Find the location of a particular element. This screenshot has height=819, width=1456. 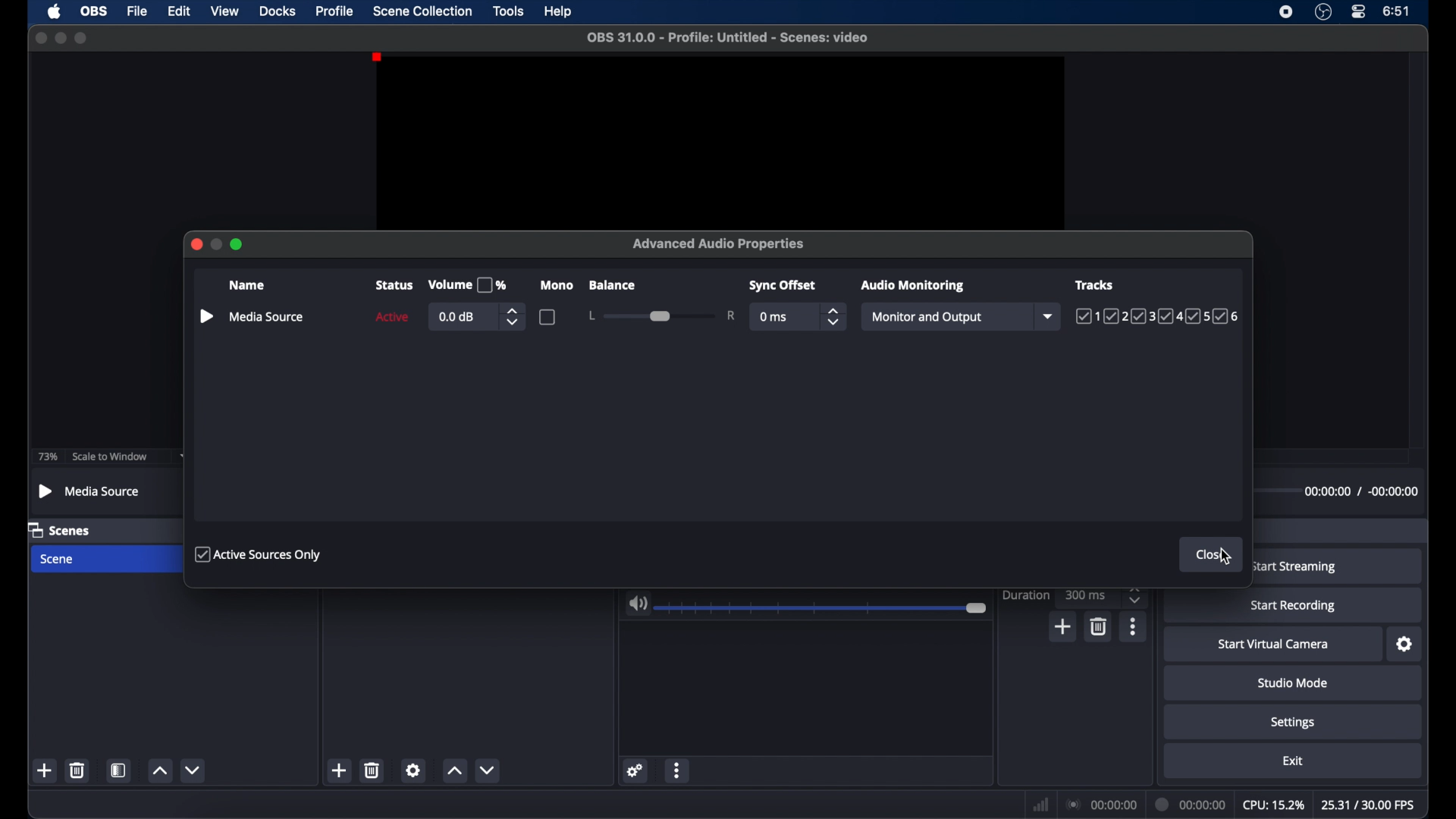

mono is located at coordinates (556, 285).